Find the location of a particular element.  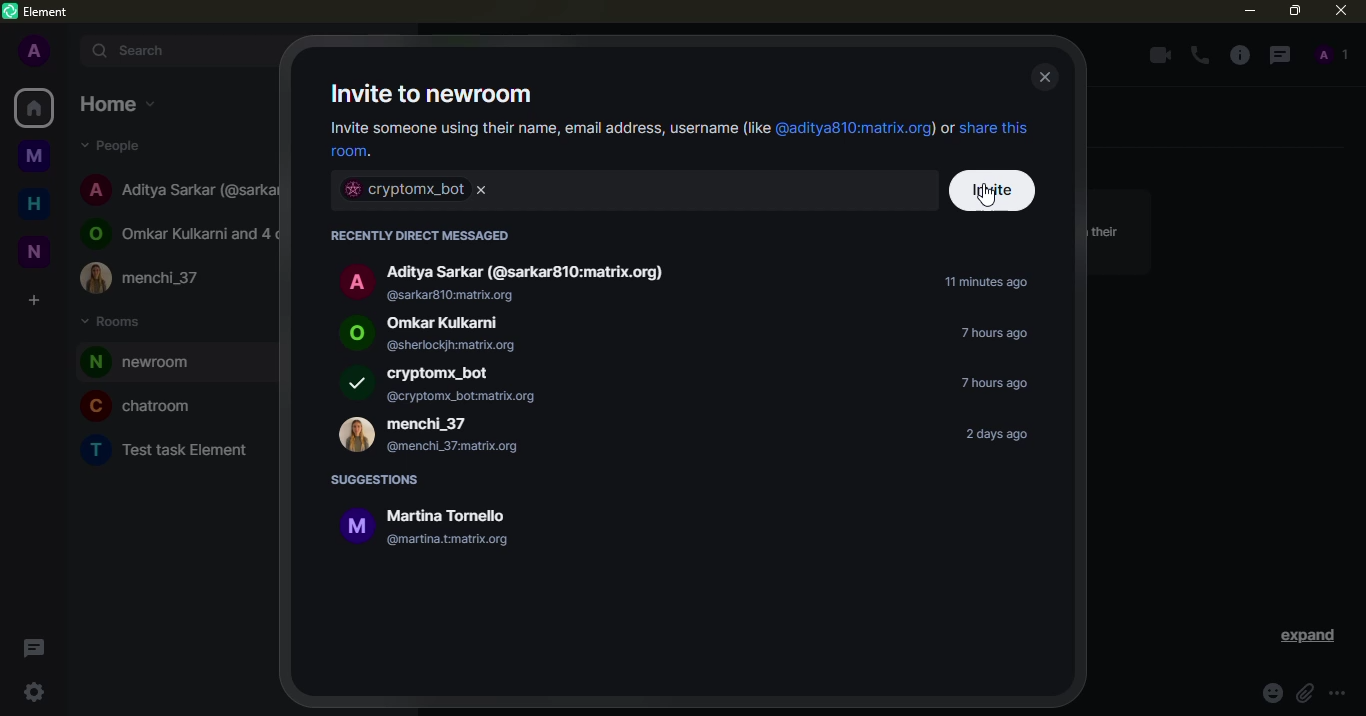

home is located at coordinates (34, 107).